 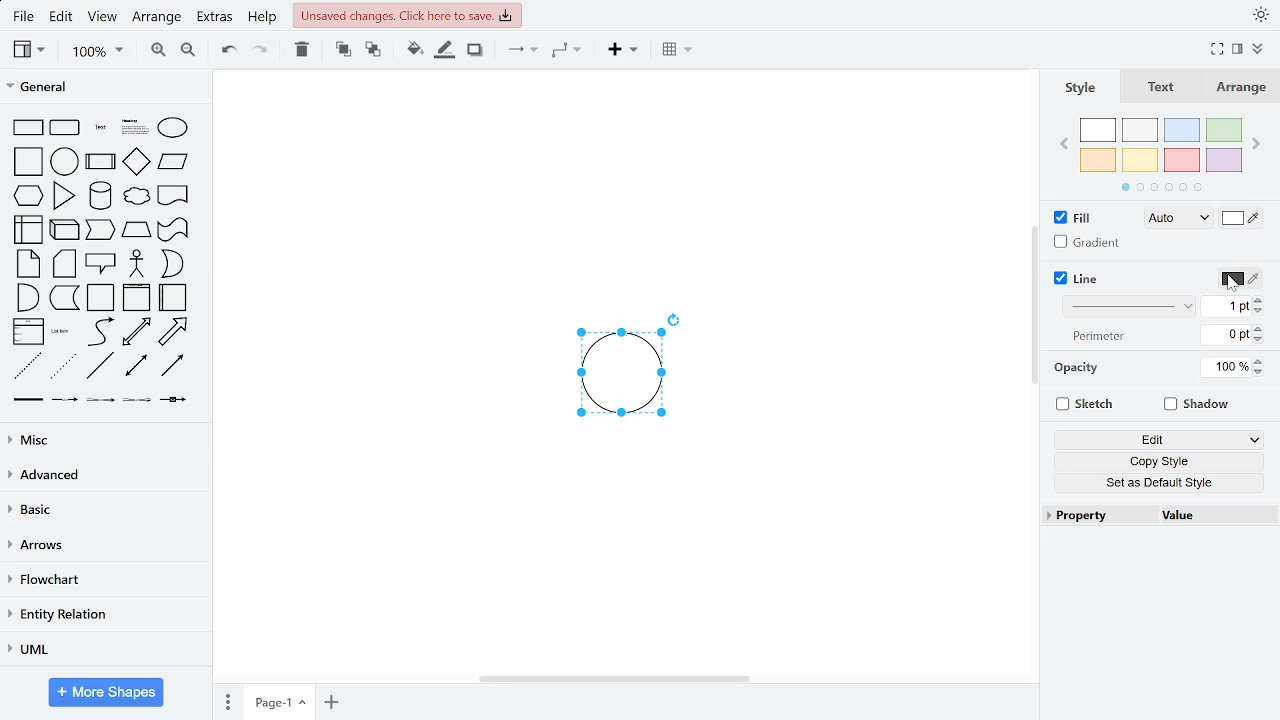 I want to click on current page, so click(x=278, y=702).